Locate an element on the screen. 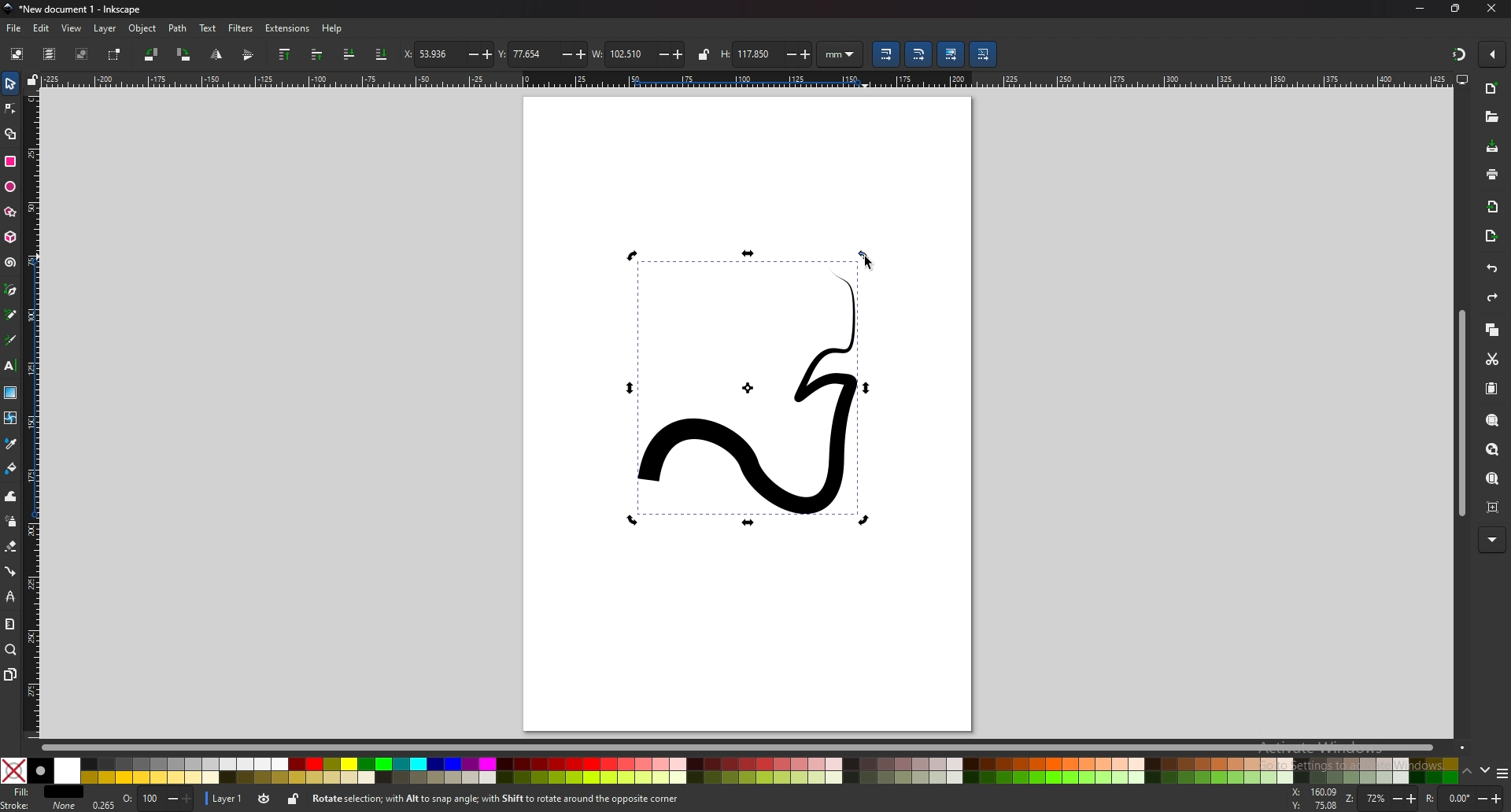 Image resolution: width=1511 pixels, height=812 pixels. UNDO is located at coordinates (1491, 268).